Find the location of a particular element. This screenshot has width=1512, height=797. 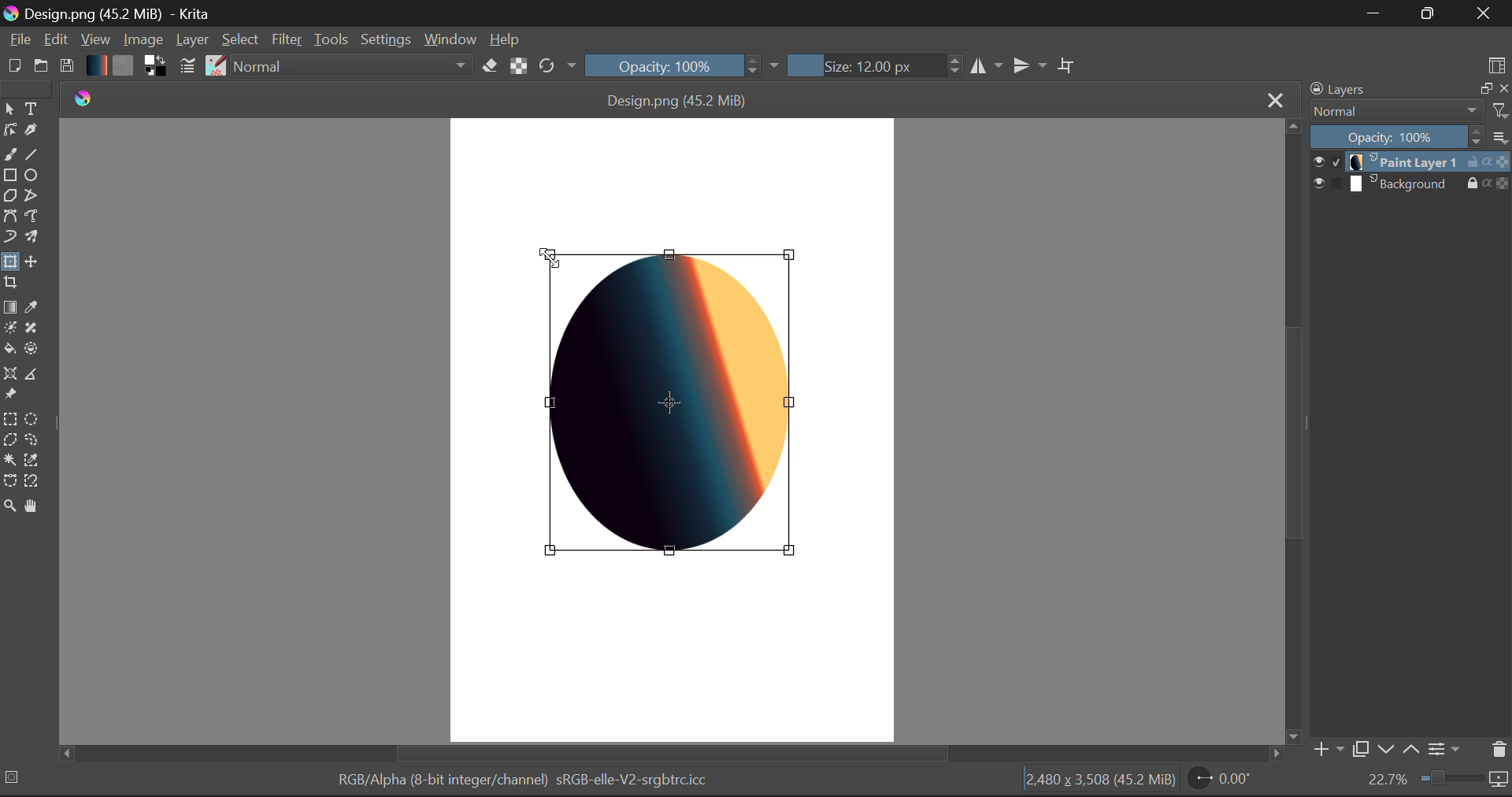

Opacity is located at coordinates (684, 65).